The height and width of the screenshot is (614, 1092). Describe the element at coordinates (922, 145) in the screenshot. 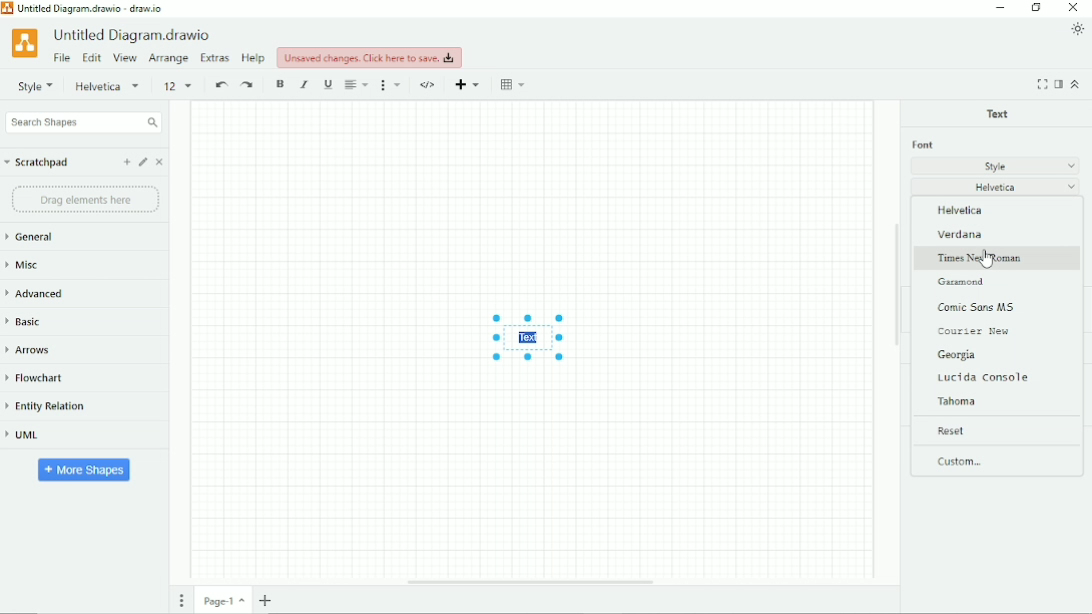

I see `Font` at that location.